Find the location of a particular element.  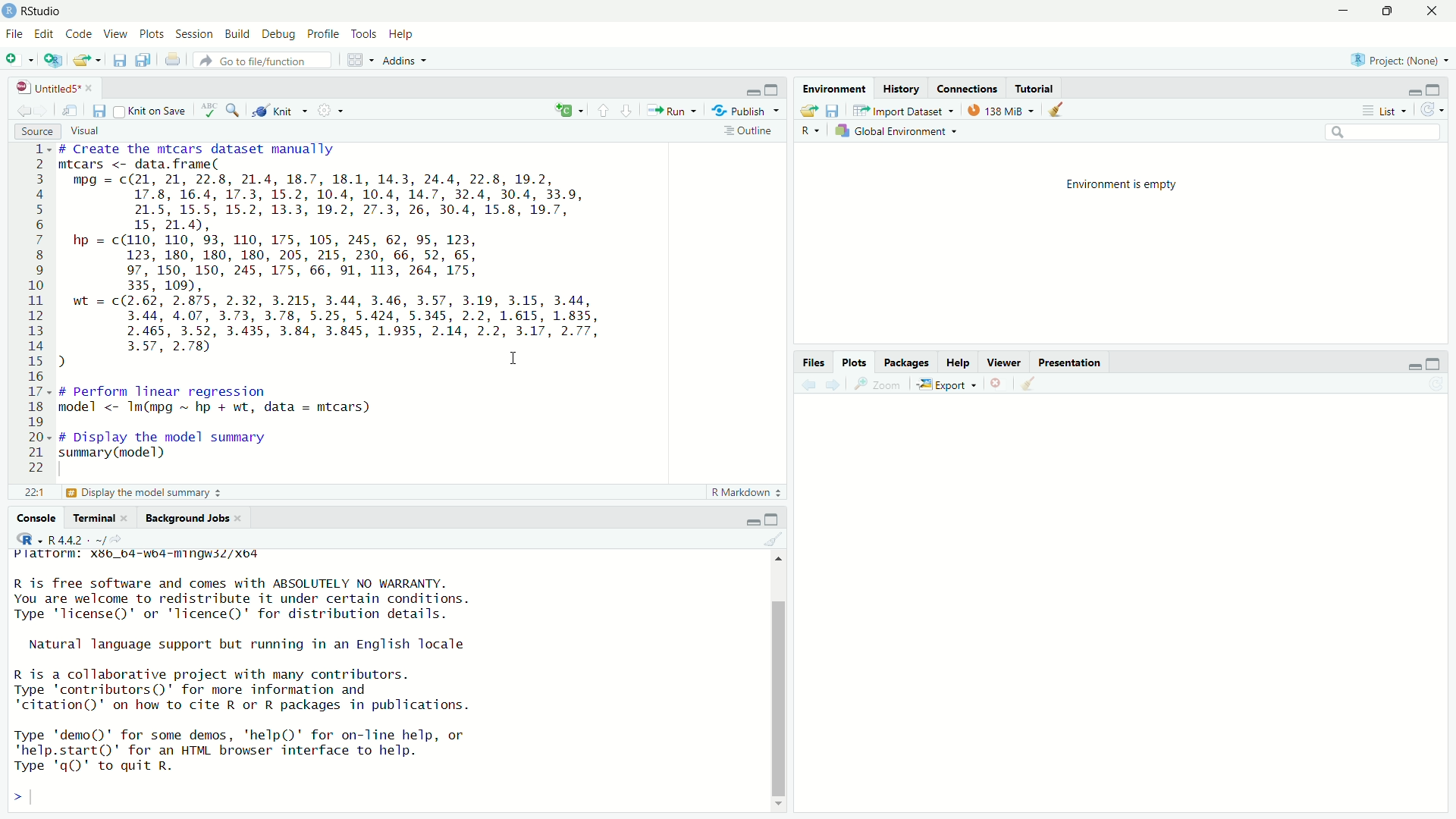

maximize is located at coordinates (1432, 366).